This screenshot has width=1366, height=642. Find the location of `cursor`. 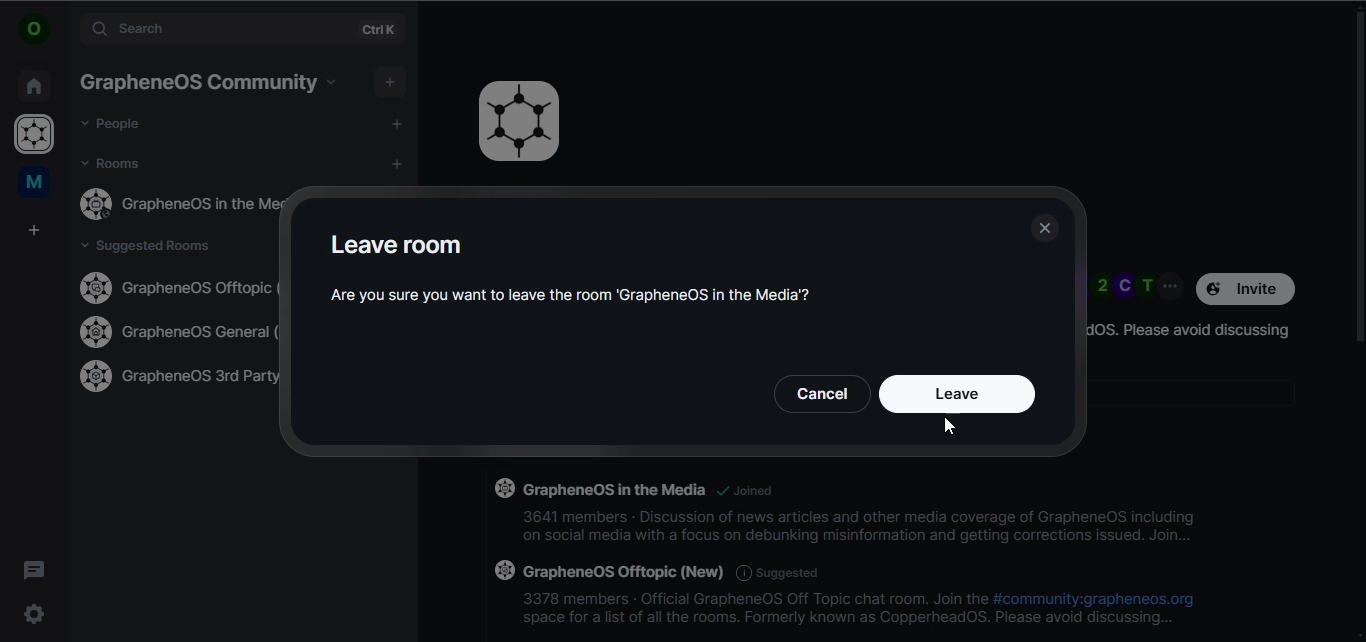

cursor is located at coordinates (950, 426).